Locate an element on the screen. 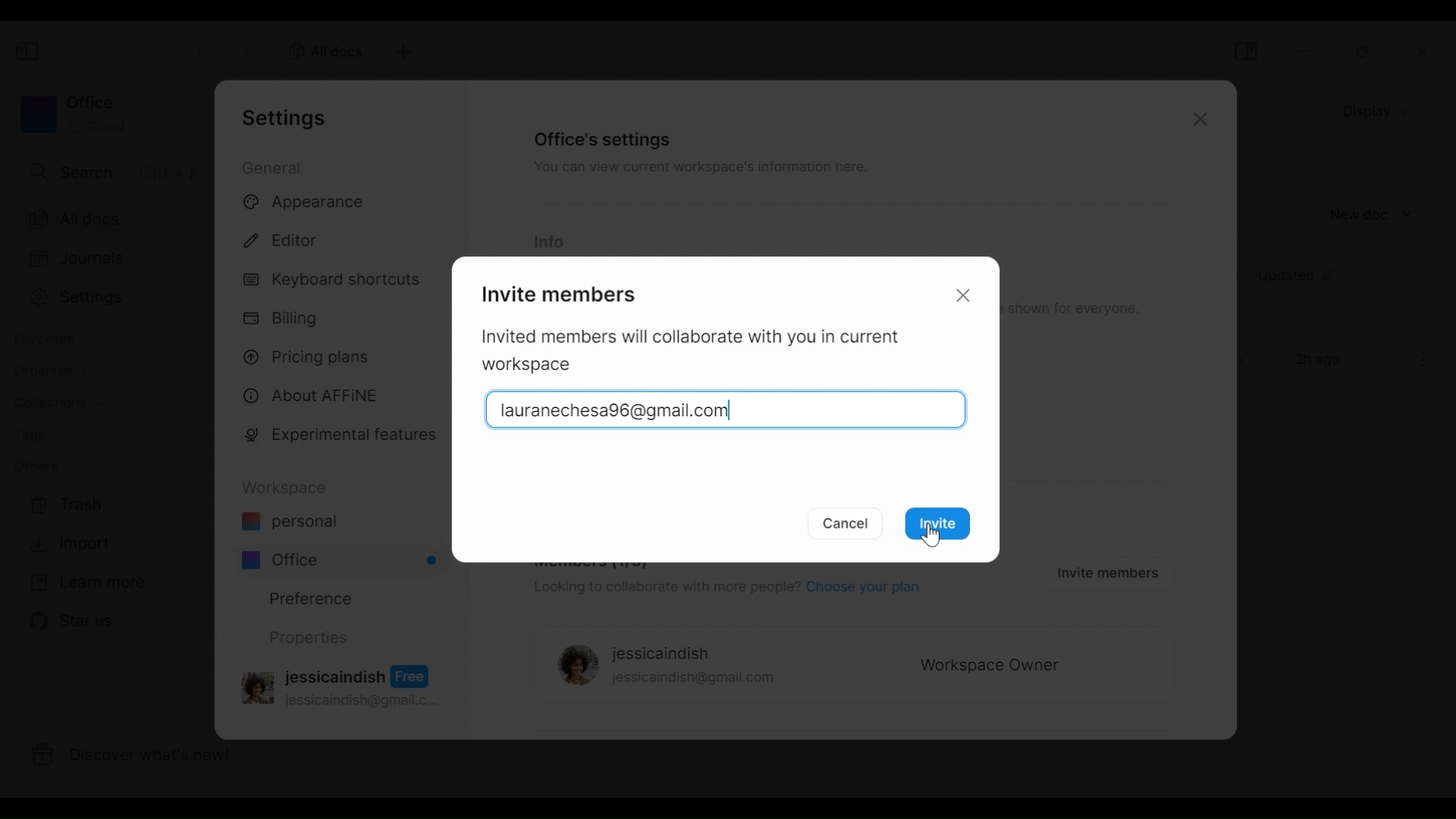 The width and height of the screenshot is (1456, 819). Organize is located at coordinates (42, 371).